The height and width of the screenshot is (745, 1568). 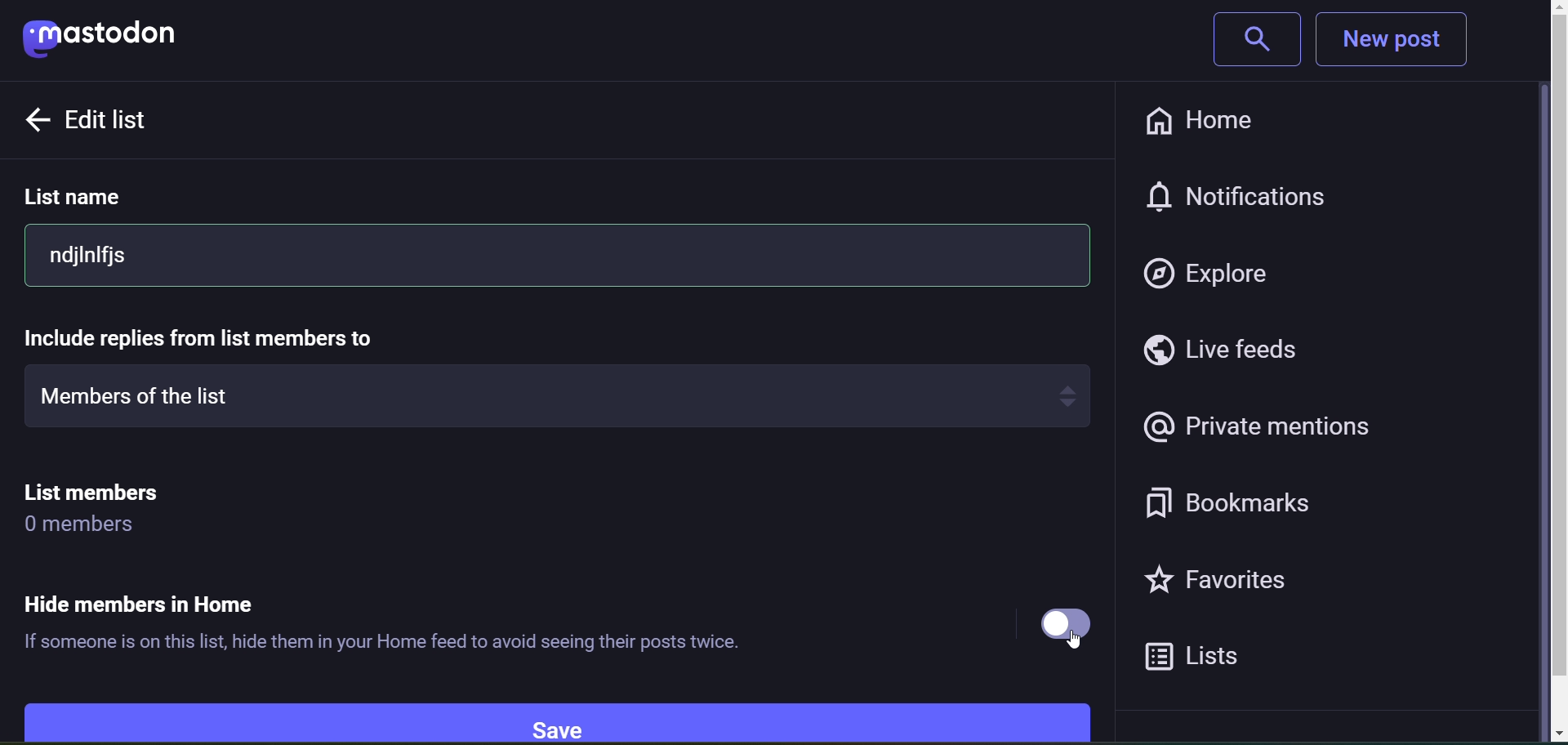 What do you see at coordinates (1196, 118) in the screenshot?
I see `home` at bounding box center [1196, 118].